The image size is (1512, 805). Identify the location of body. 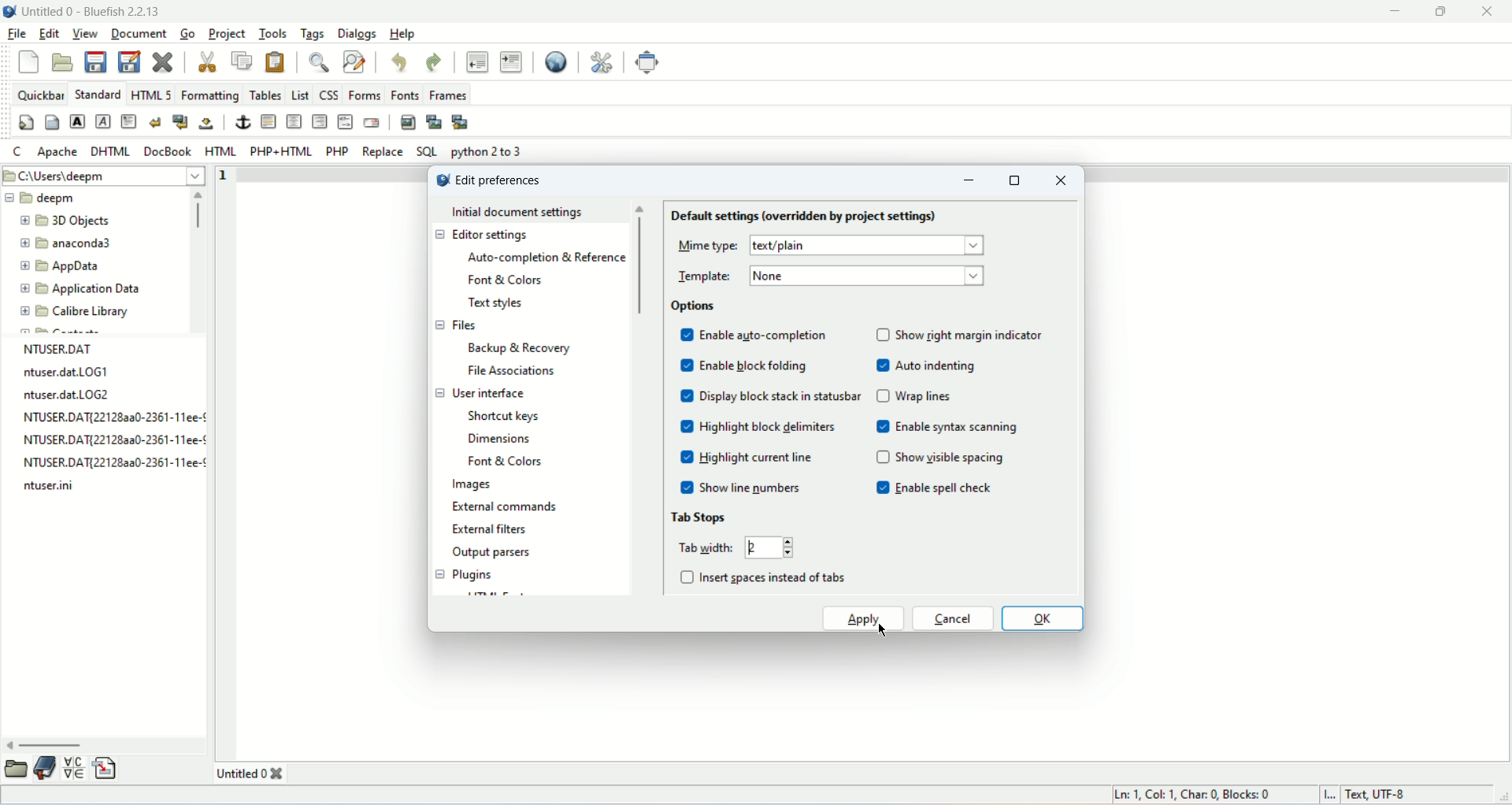
(53, 121).